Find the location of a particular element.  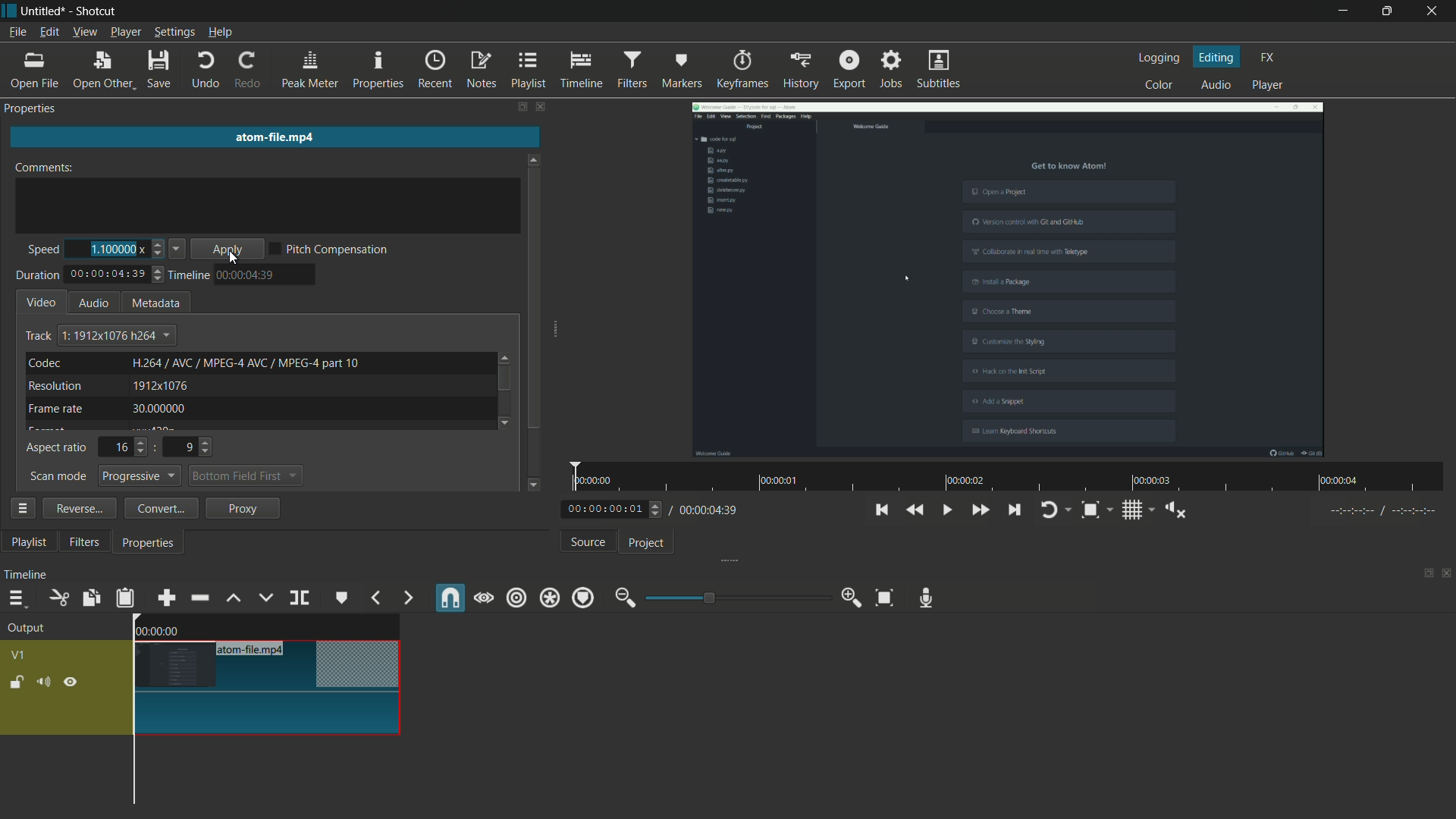

audio is located at coordinates (1218, 84).